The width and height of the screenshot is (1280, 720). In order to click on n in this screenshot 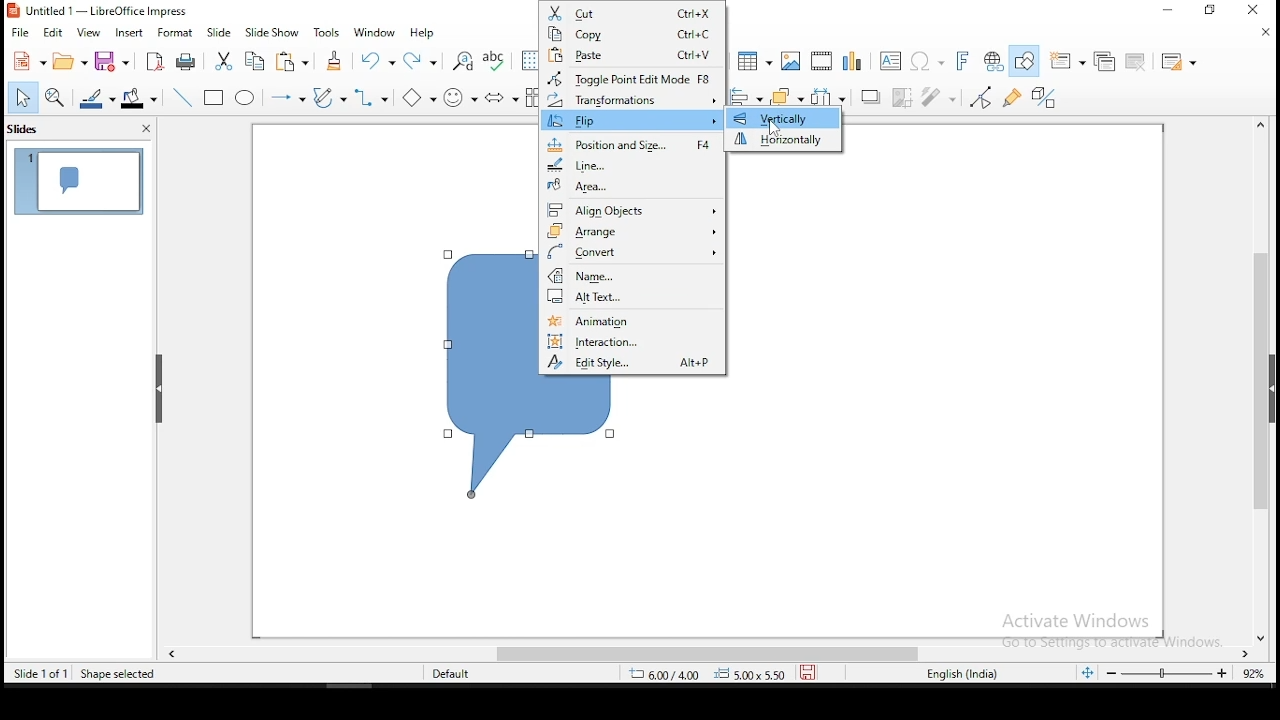, I will do `click(632, 276)`.